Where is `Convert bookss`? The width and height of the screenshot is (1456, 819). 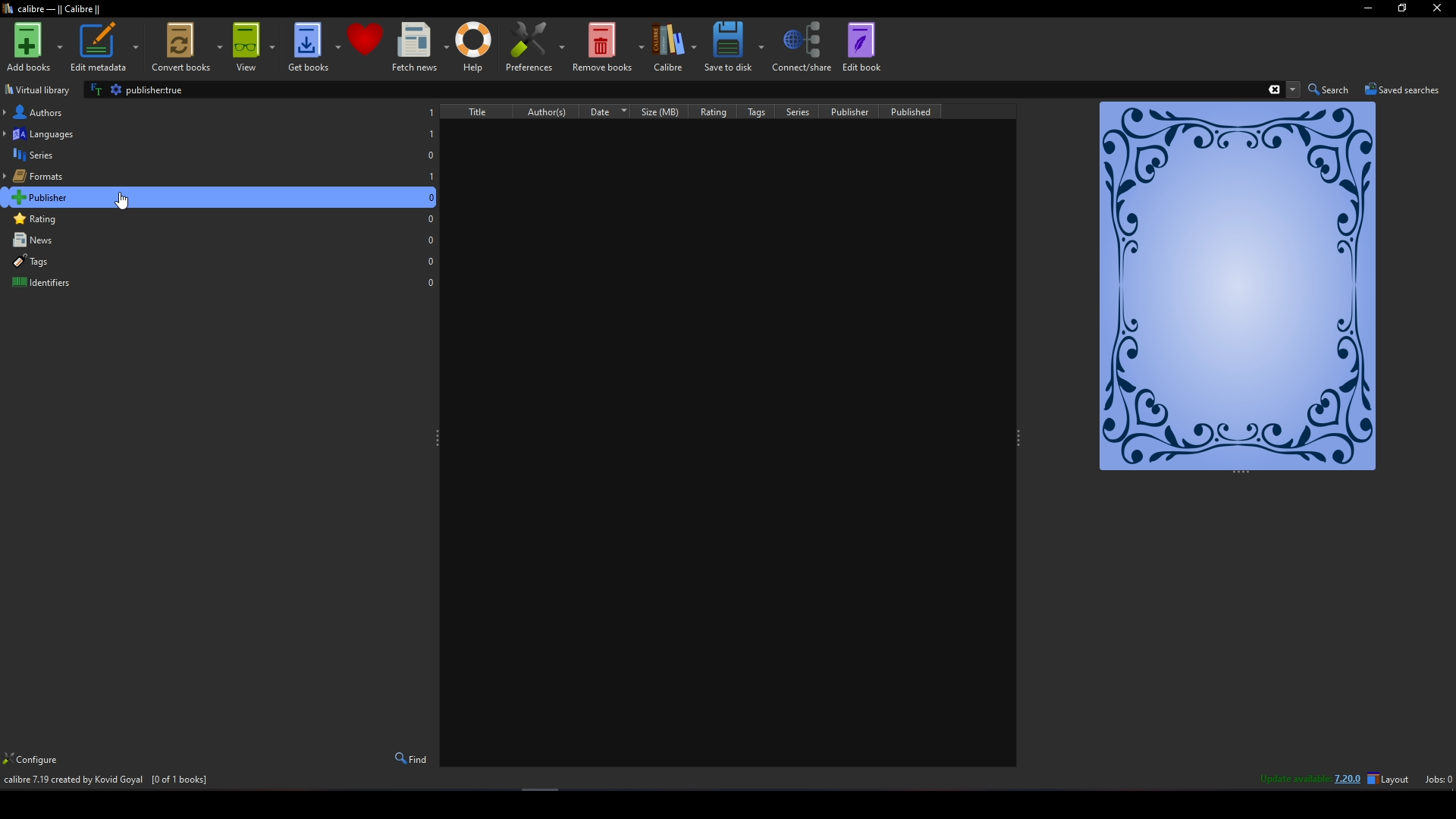 Convert bookss is located at coordinates (185, 46).